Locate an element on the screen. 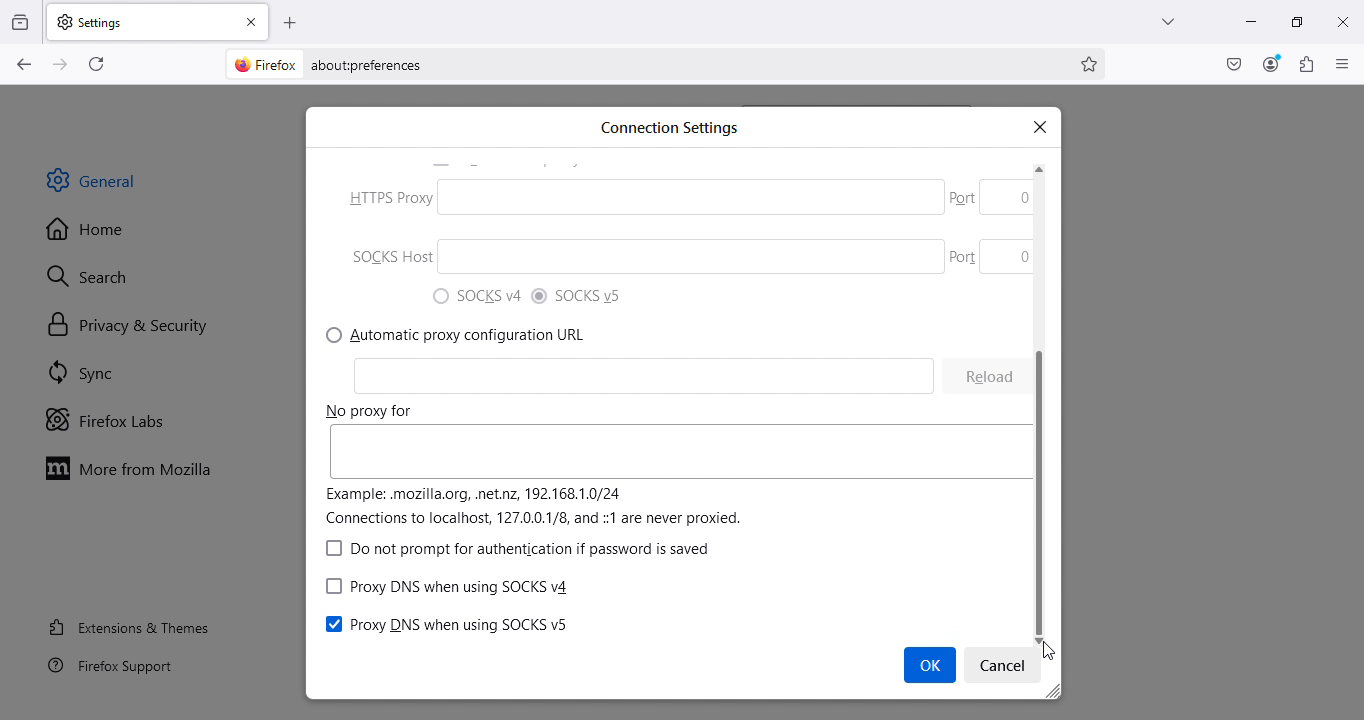 The height and width of the screenshot is (720, 1364). HTTP Proxy is located at coordinates (638, 376).